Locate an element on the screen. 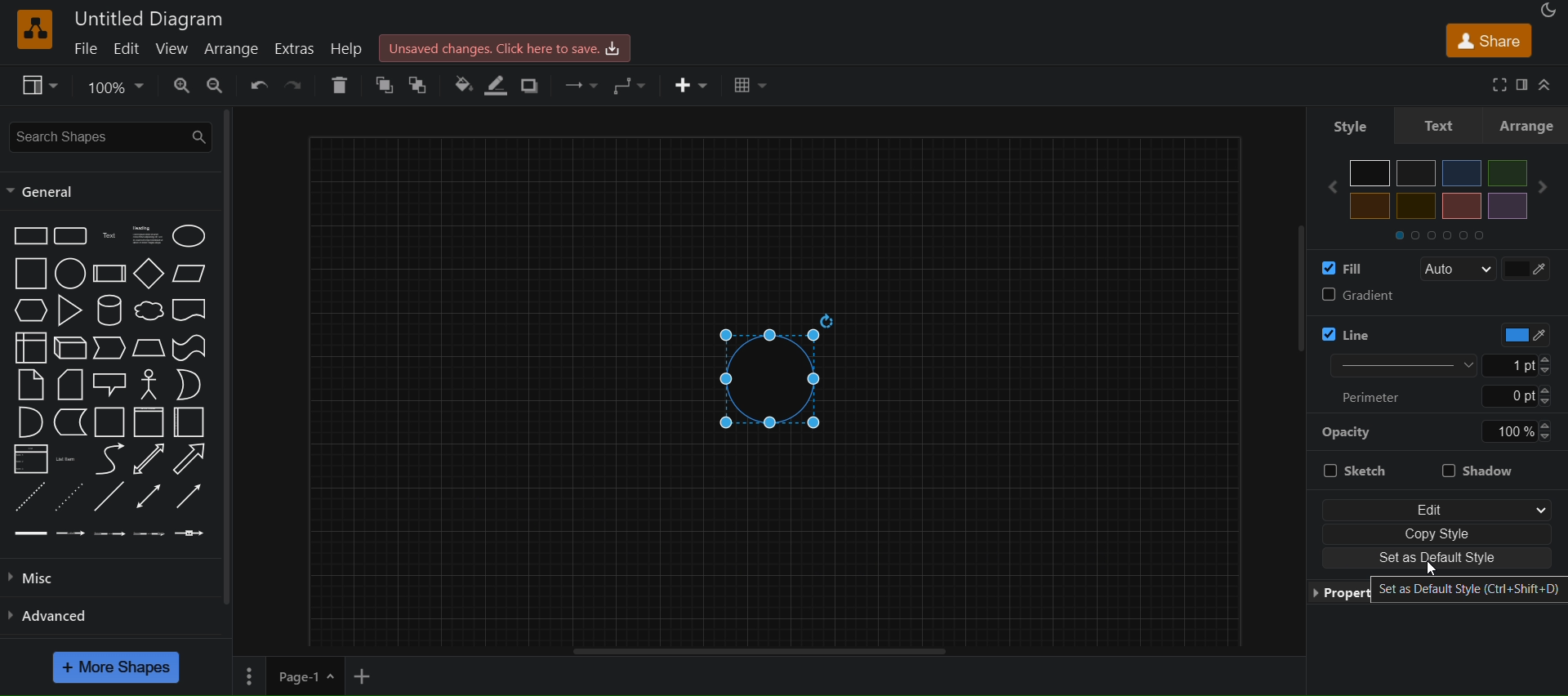  set as defaul is located at coordinates (1438, 558).